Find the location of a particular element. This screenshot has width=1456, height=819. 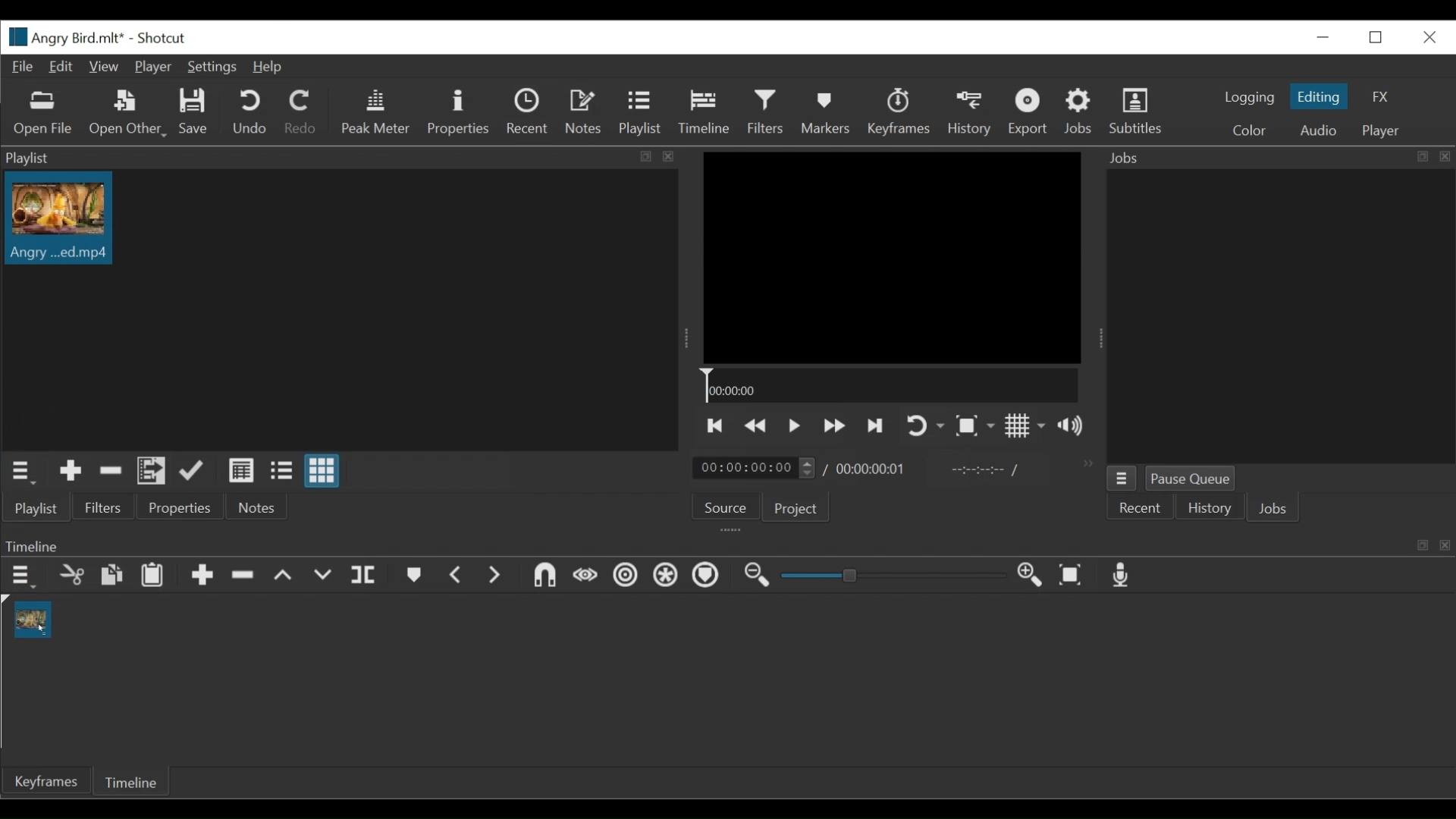

Play the next point quickly is located at coordinates (877, 425).